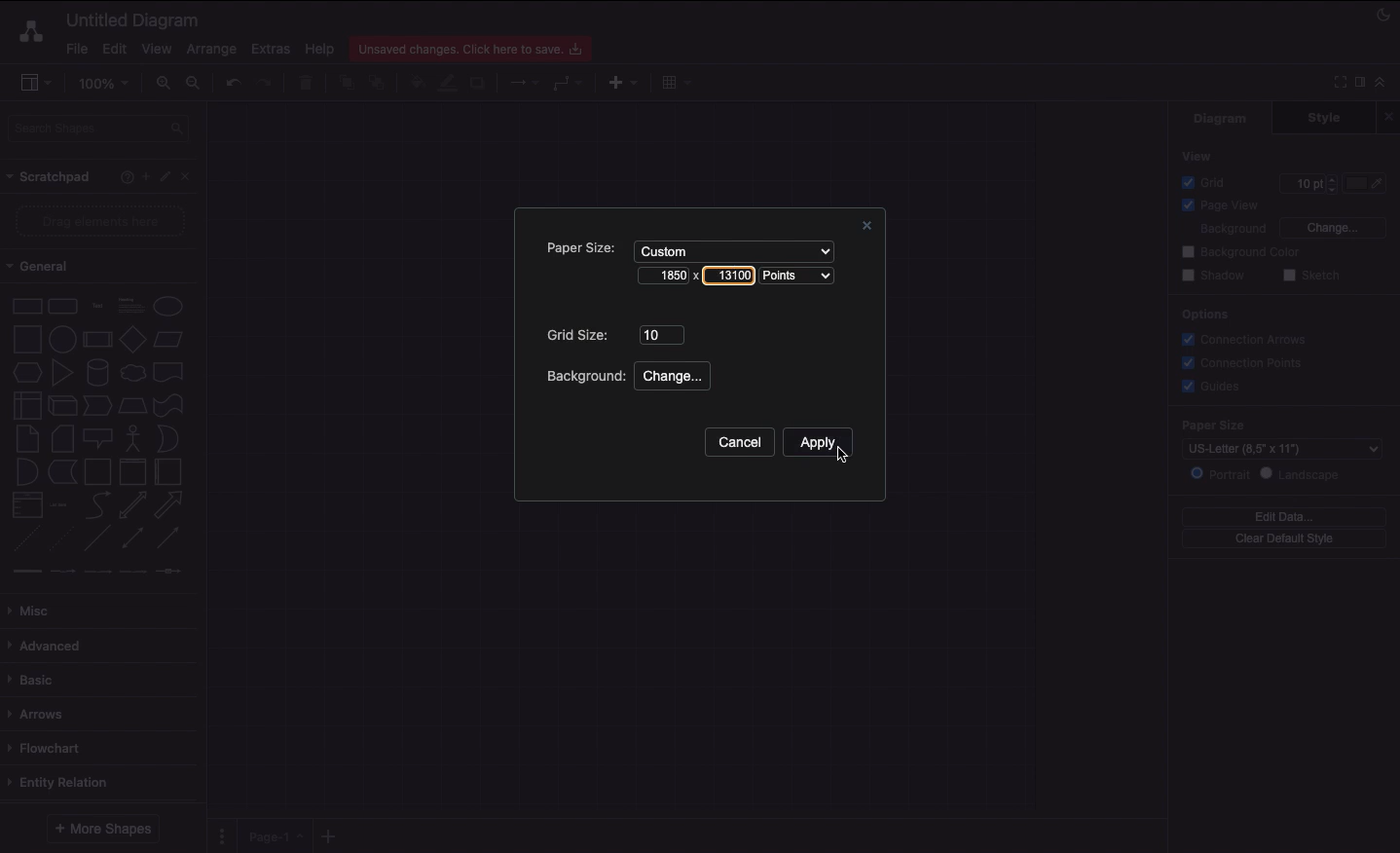  What do you see at coordinates (133, 538) in the screenshot?
I see `Bidirectional connector` at bounding box center [133, 538].